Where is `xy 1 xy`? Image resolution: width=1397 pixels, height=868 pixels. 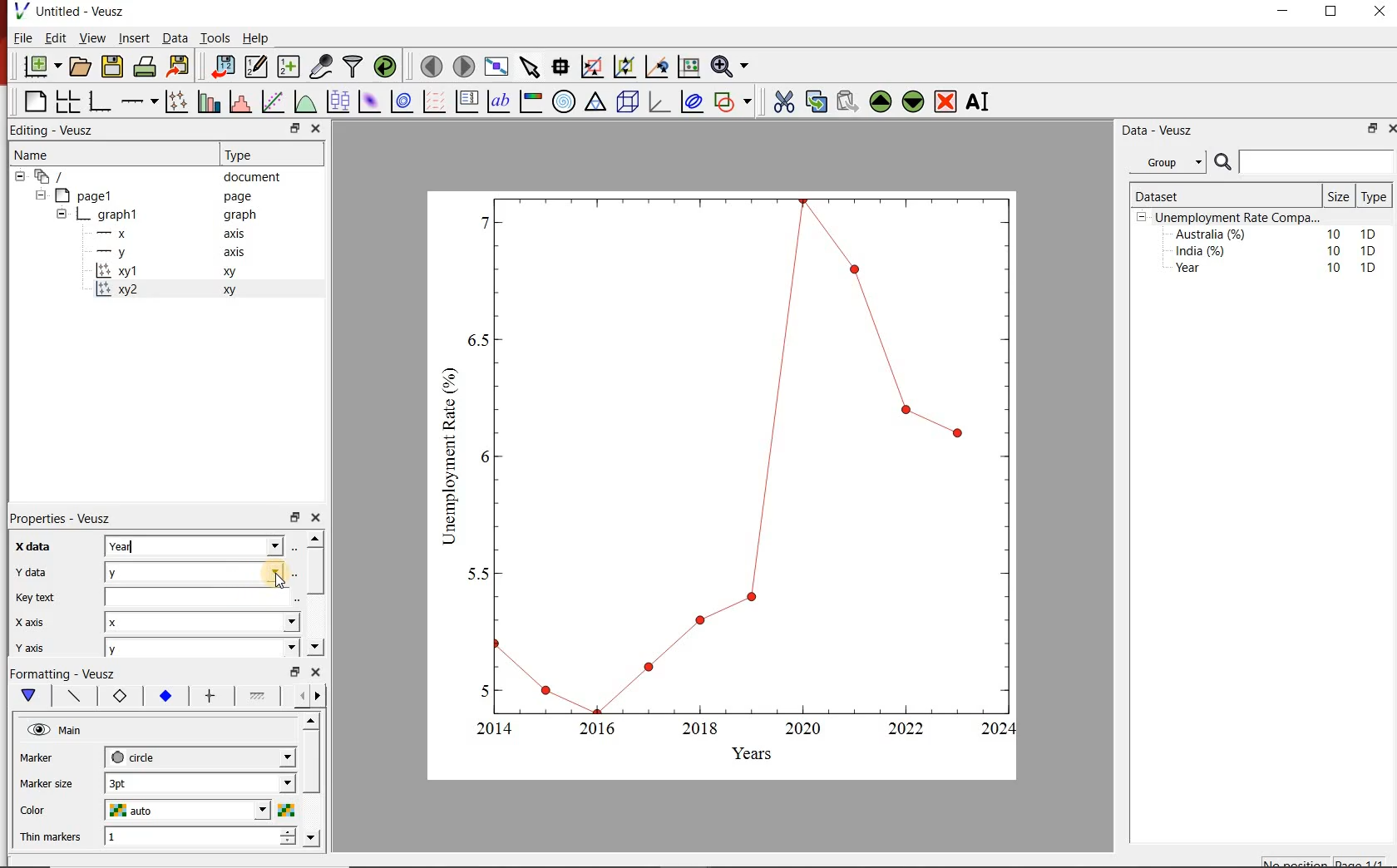 xy 1 xy is located at coordinates (195, 271).